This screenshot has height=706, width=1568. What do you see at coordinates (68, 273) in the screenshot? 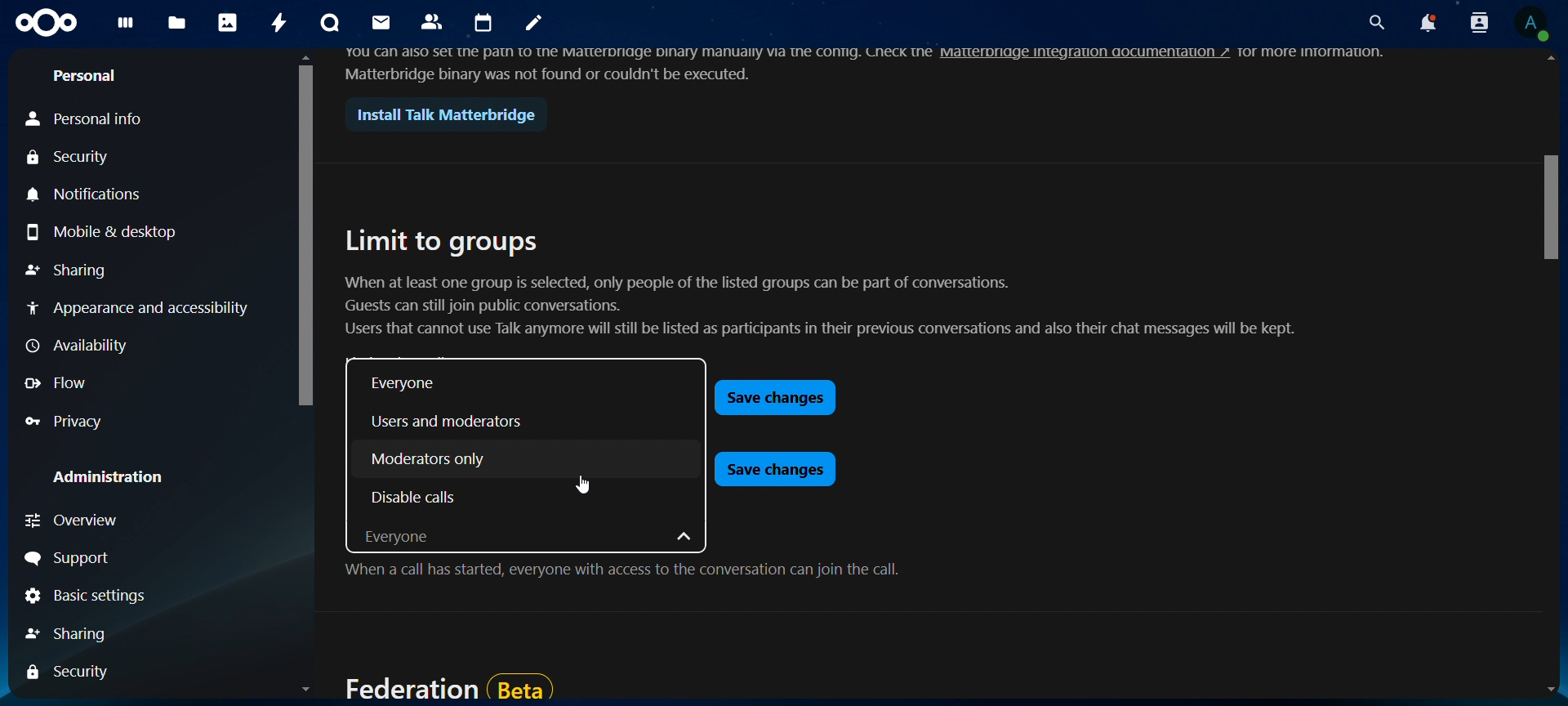
I see `Sharing` at bounding box center [68, 273].